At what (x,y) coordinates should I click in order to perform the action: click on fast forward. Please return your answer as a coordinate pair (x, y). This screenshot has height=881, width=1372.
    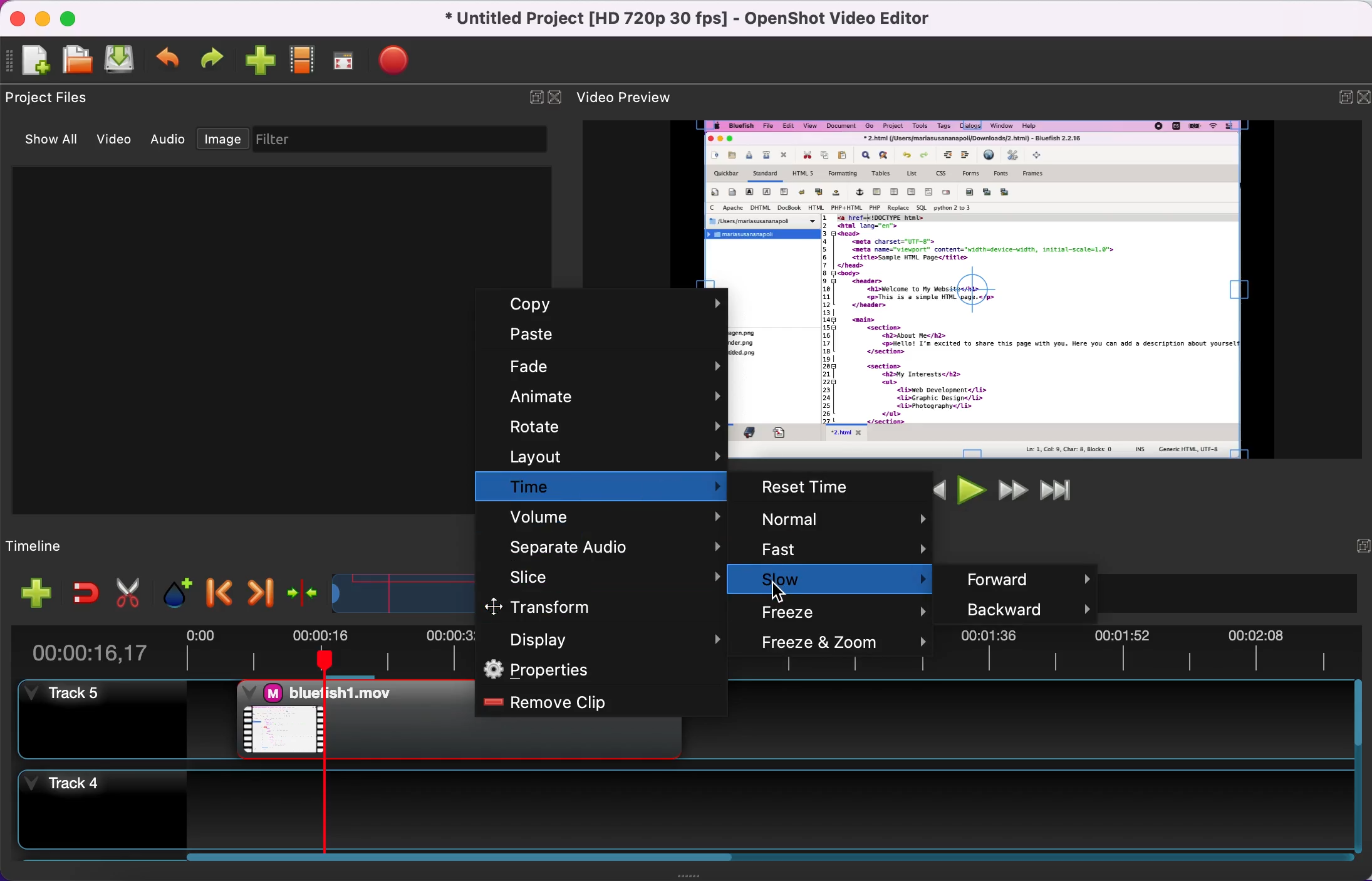
    Looking at the image, I should click on (1009, 489).